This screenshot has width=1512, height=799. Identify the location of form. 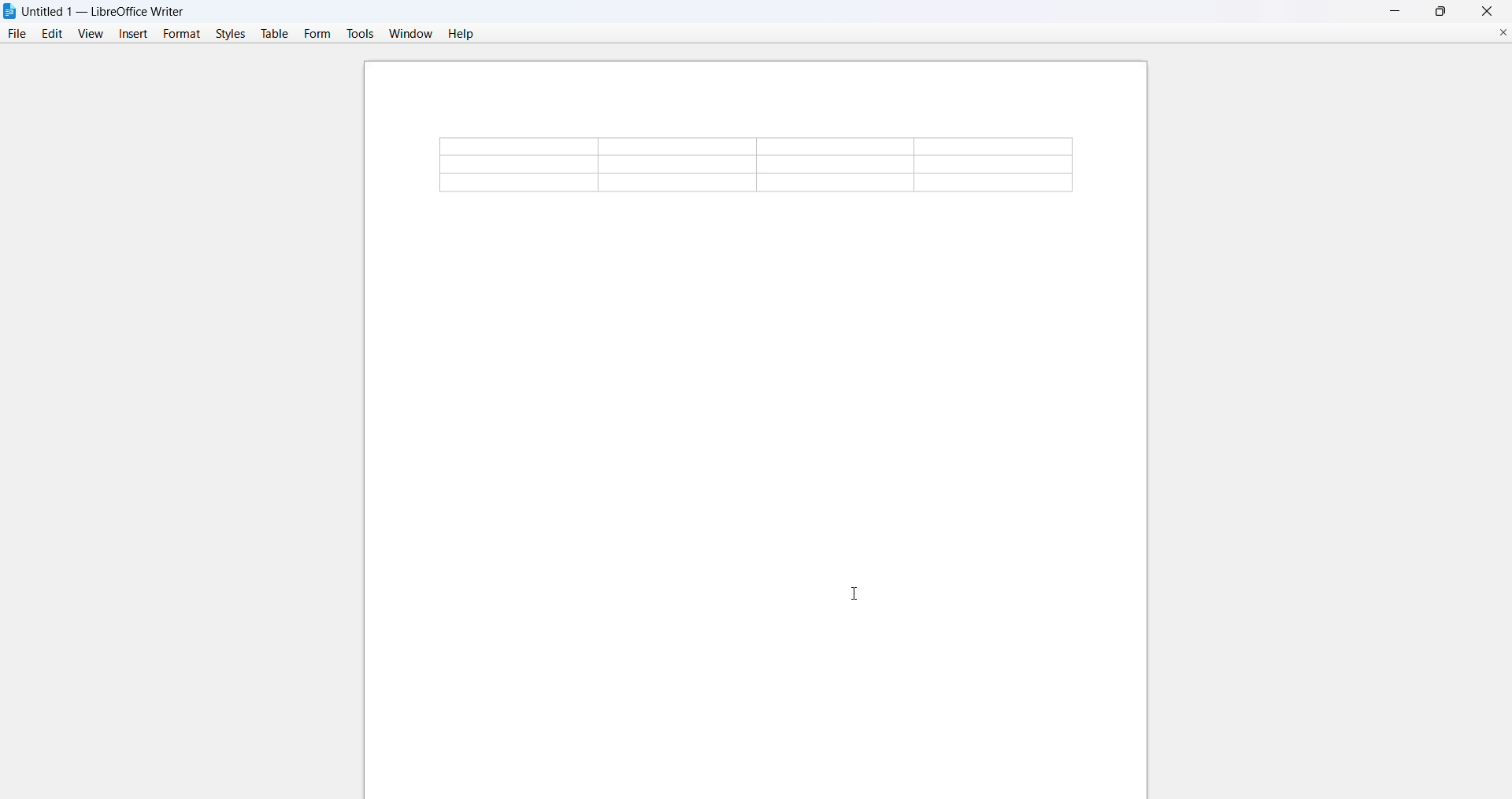
(317, 33).